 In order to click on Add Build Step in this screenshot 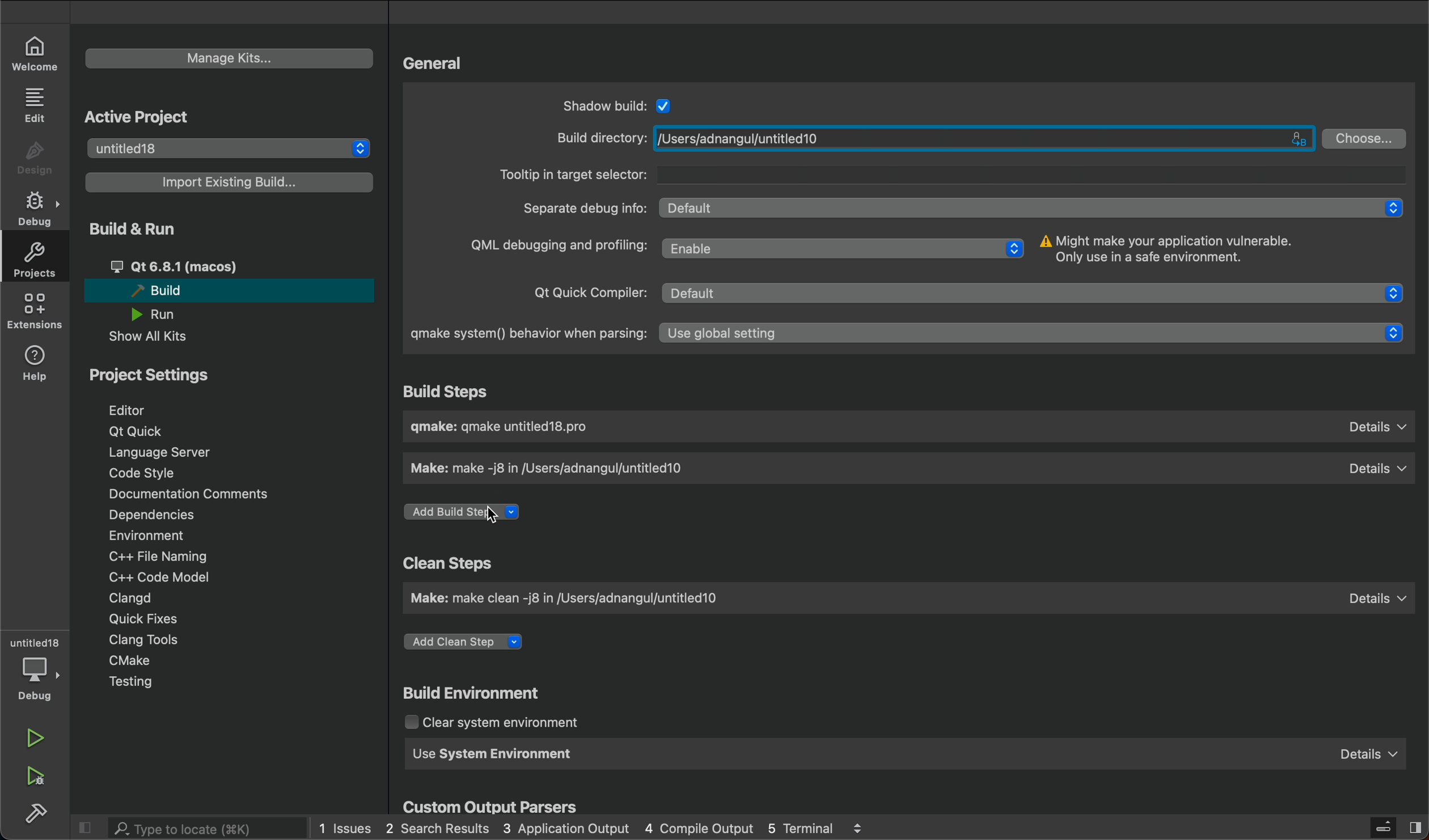, I will do `click(464, 513)`.